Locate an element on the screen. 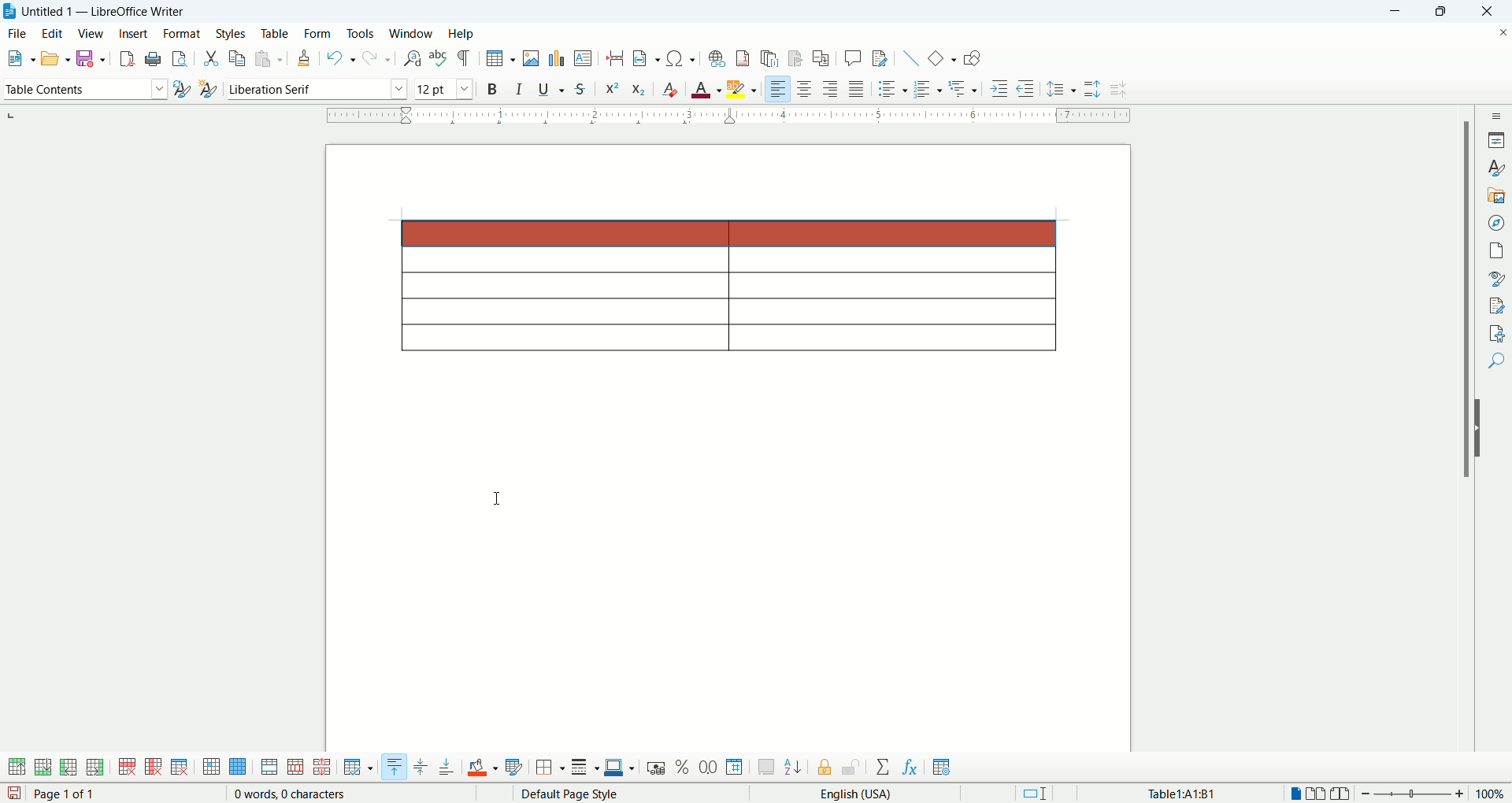  navigator is located at coordinates (1496, 223).